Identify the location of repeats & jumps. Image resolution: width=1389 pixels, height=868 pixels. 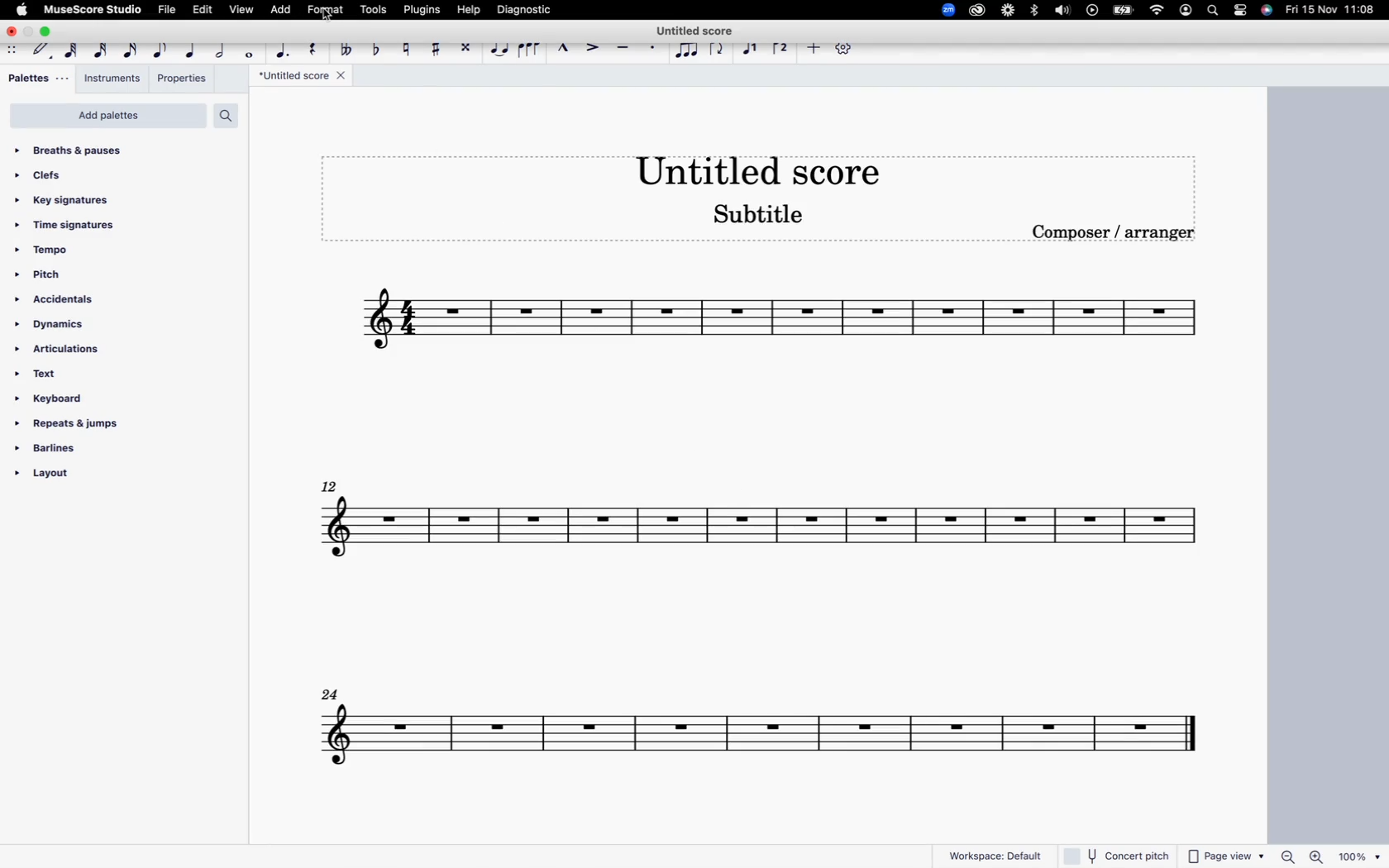
(74, 423).